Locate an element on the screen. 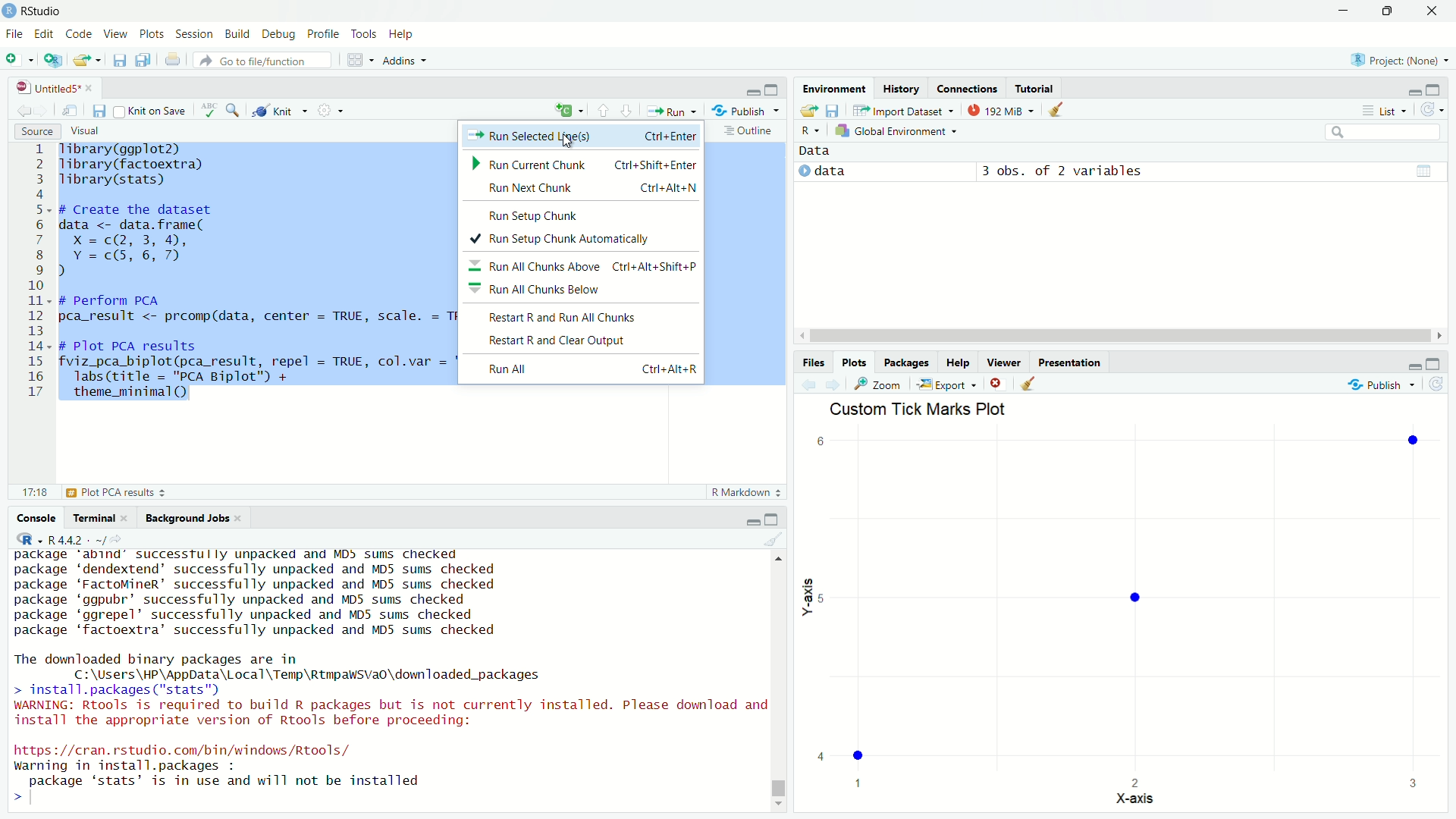 Image resolution: width=1456 pixels, height=819 pixels. cursor is located at coordinates (570, 142).